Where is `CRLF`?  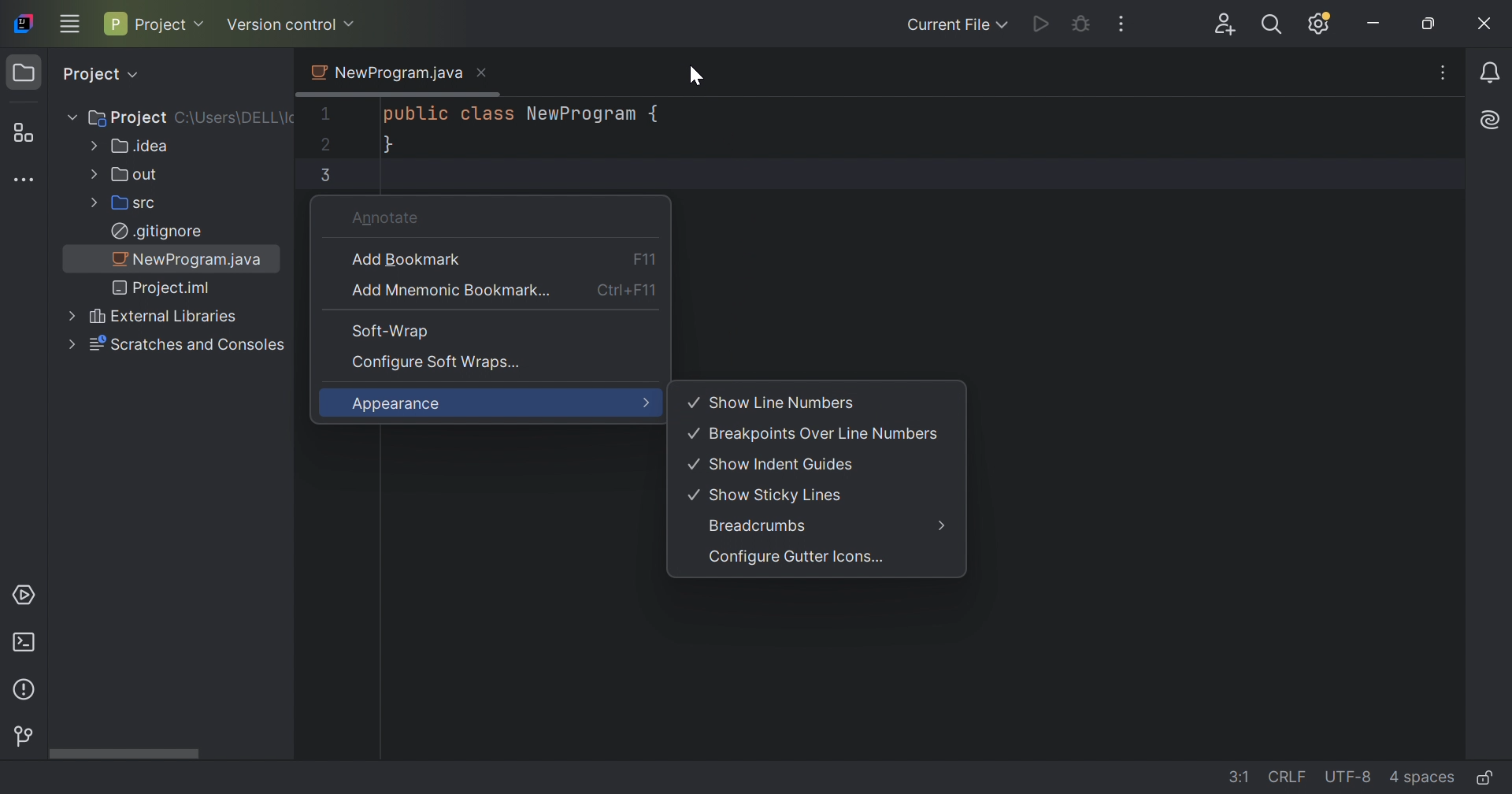 CRLF is located at coordinates (1281, 775).